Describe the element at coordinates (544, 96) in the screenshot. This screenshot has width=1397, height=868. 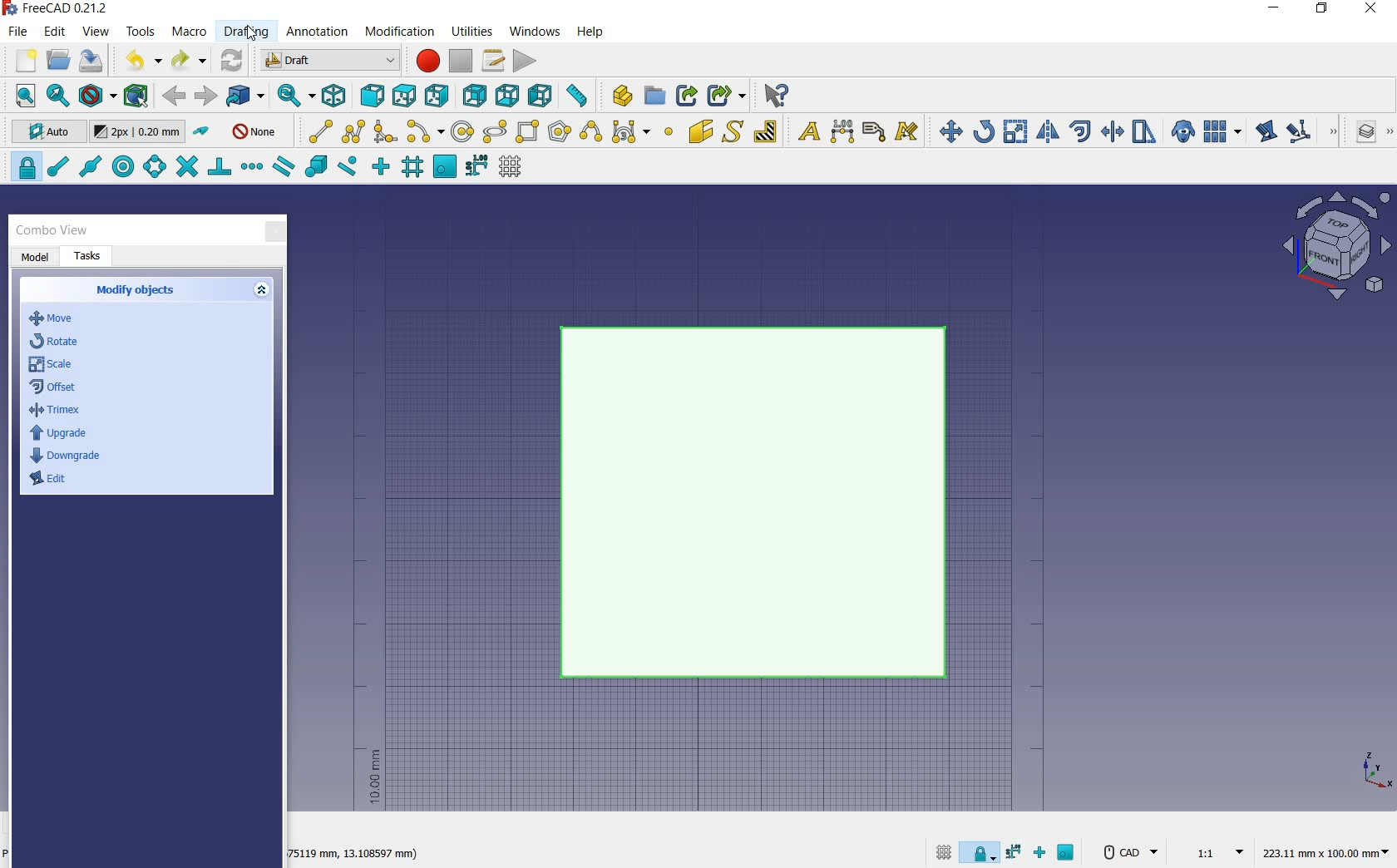
I see `left` at that location.